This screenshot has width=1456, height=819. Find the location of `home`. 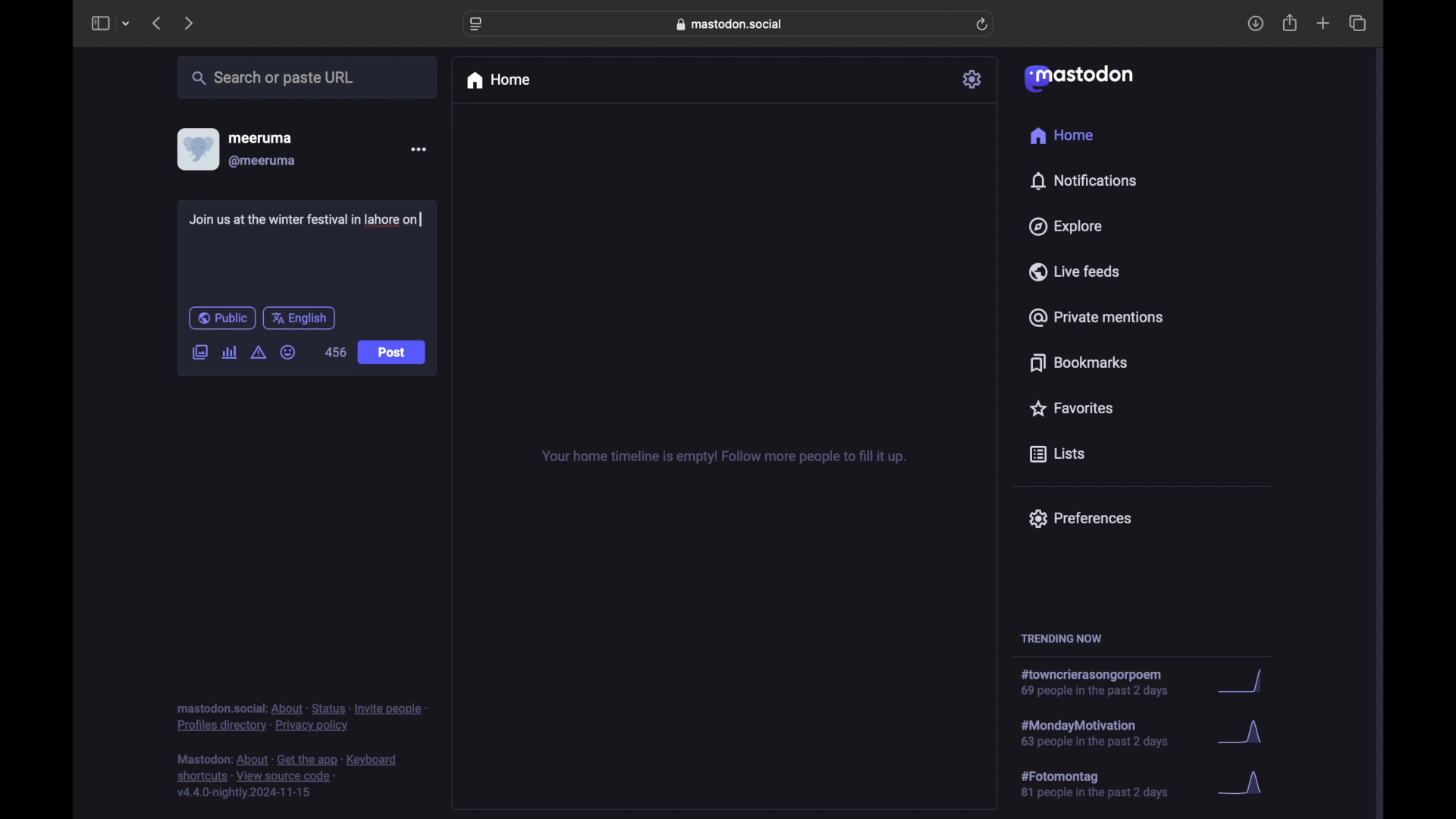

home is located at coordinates (1061, 136).